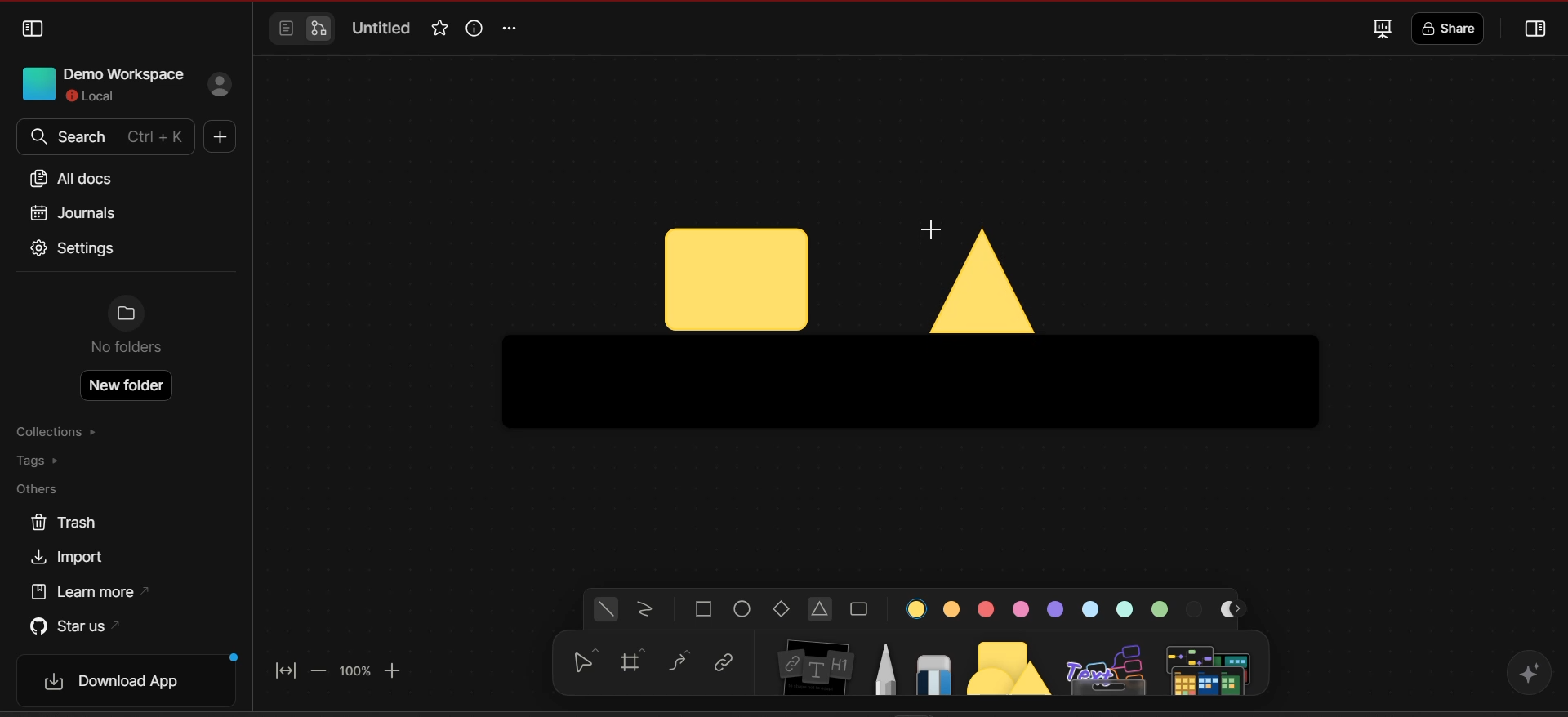  Describe the element at coordinates (985, 610) in the screenshot. I see `color 3` at that location.